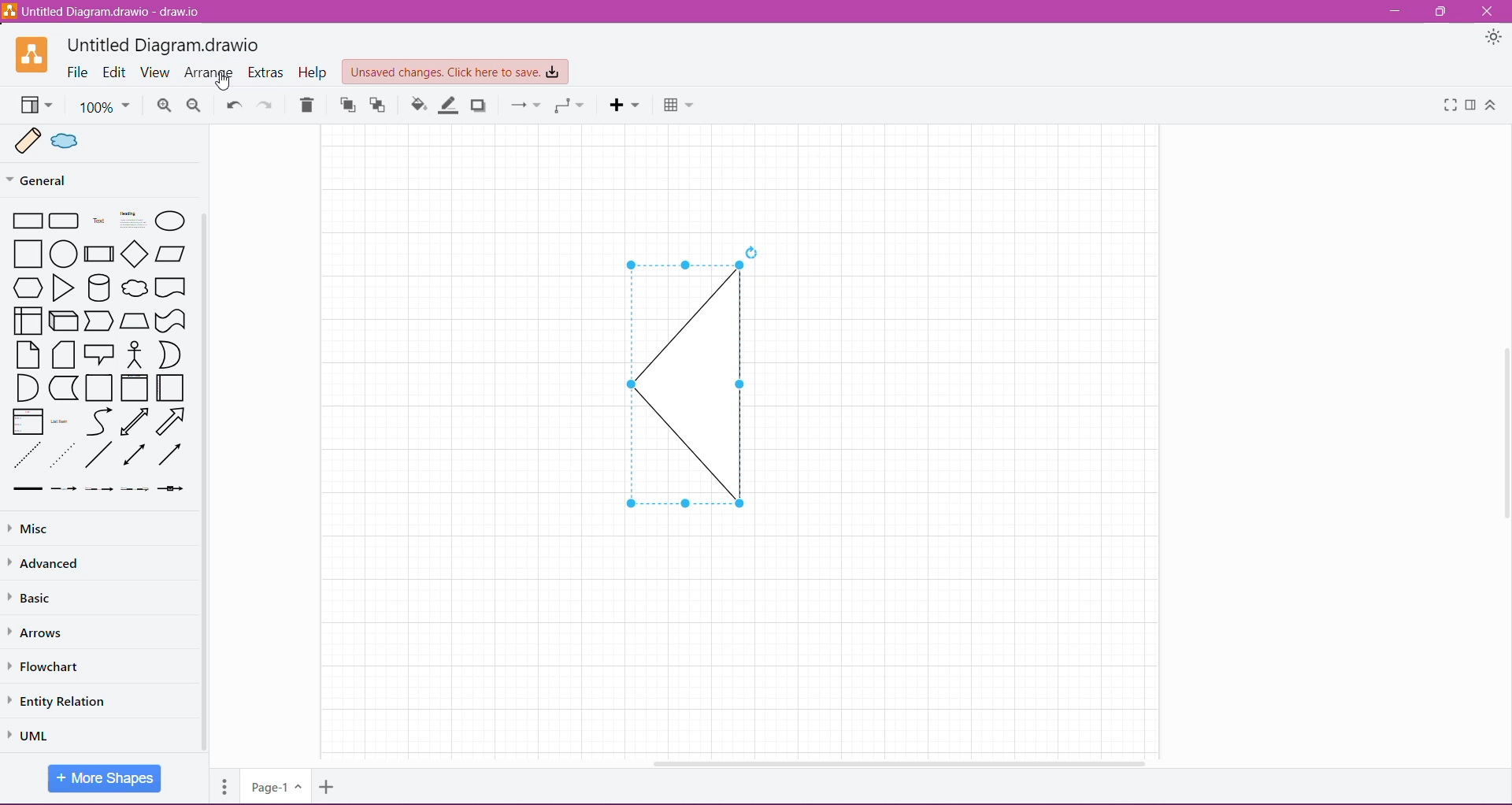  What do you see at coordinates (106, 142) in the screenshot?
I see `Sample shapes in Scratchpad` at bounding box center [106, 142].